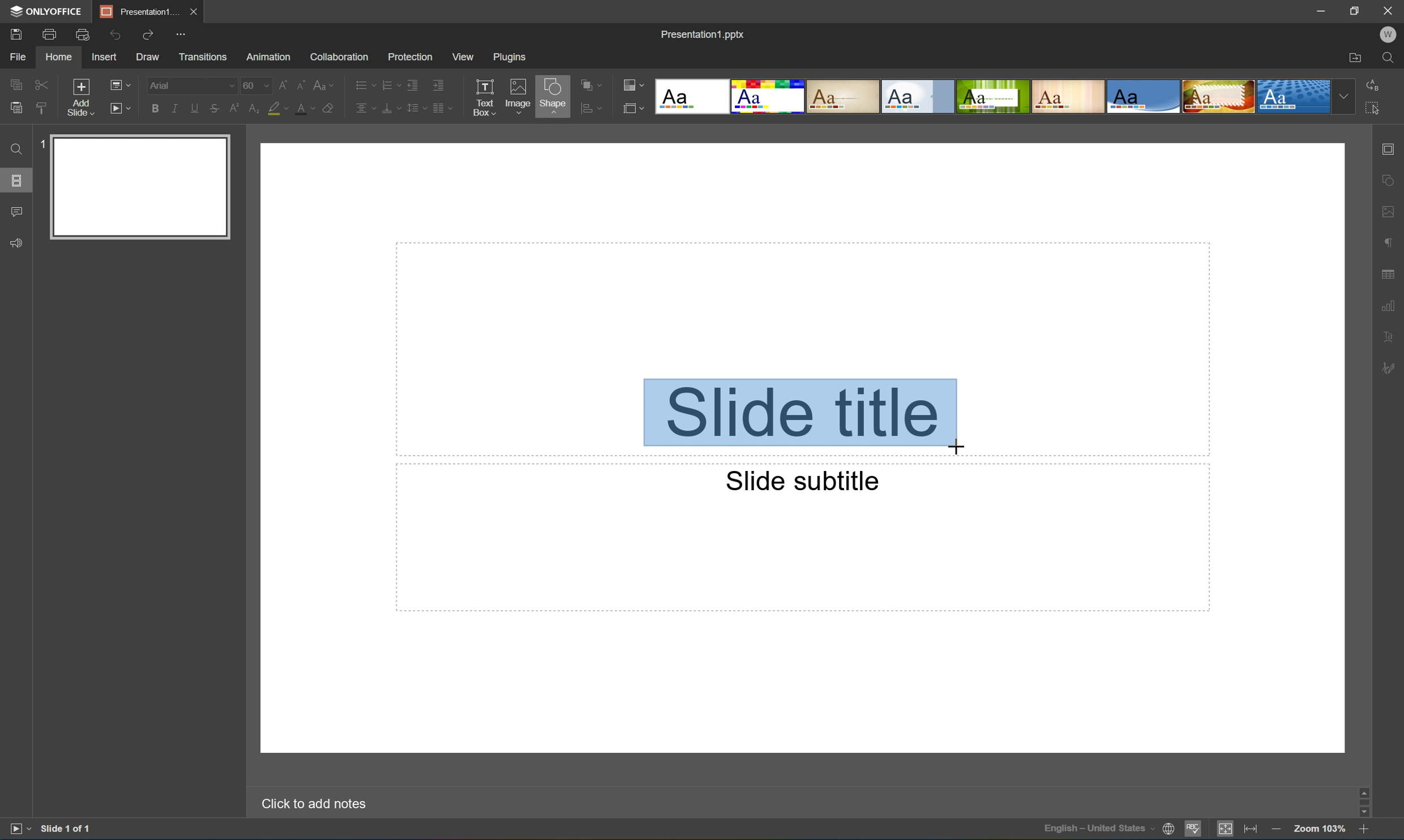 The width and height of the screenshot is (1404, 840). I want to click on Cut, so click(40, 83).